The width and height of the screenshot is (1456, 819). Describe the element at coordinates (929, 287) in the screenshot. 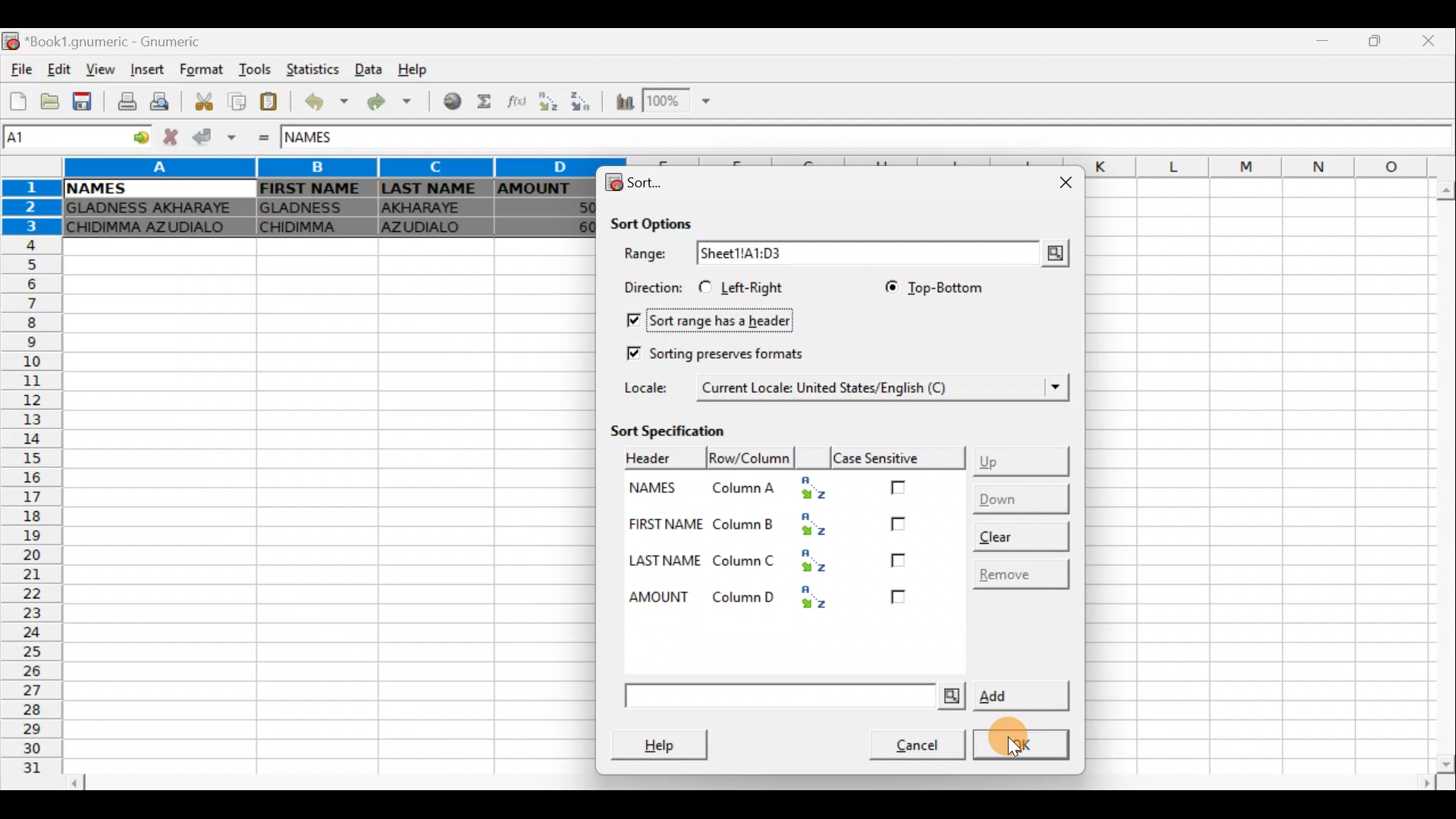

I see `Top-bottom` at that location.